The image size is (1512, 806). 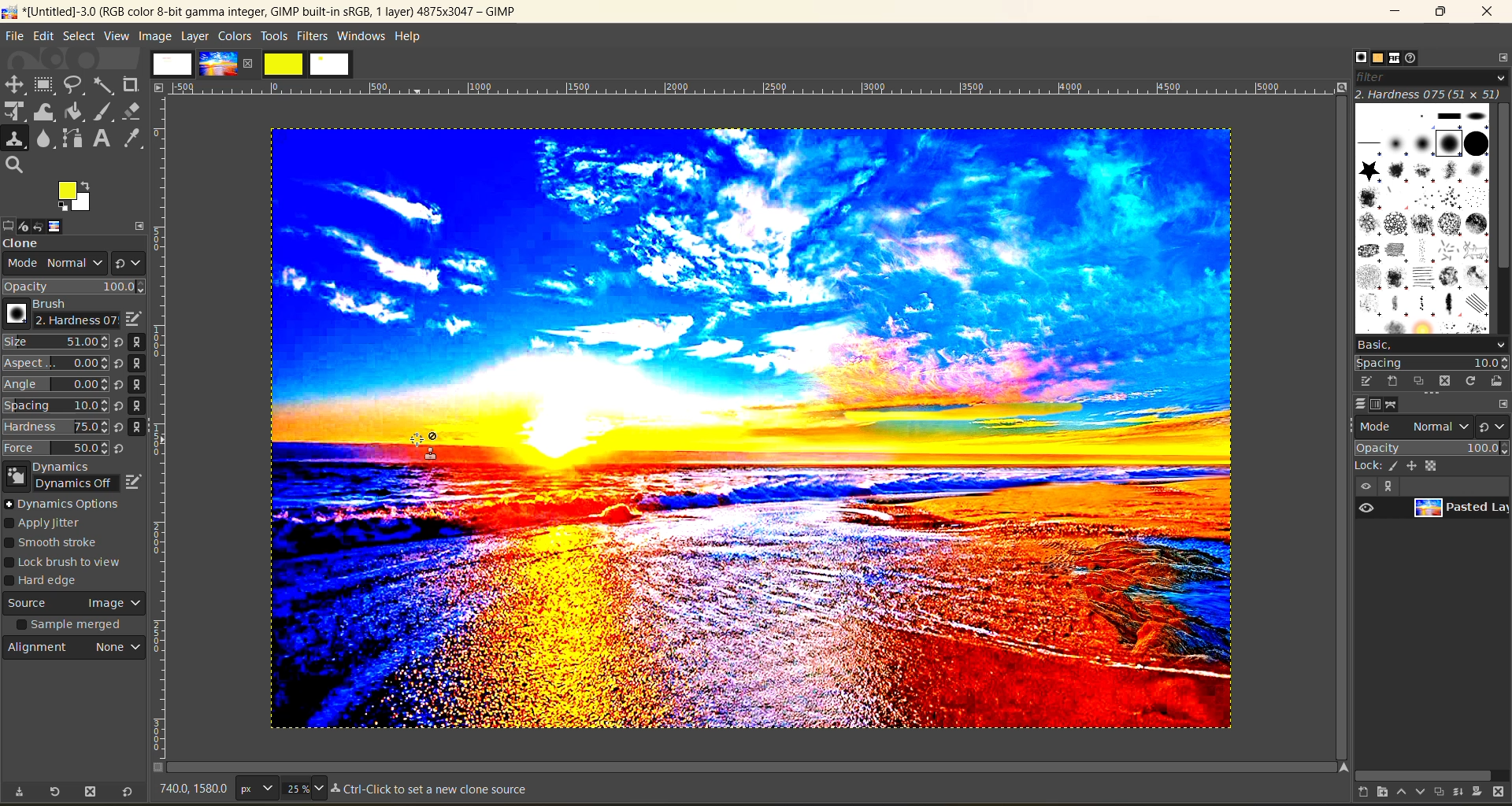 I want to click on filters, so click(x=314, y=35).